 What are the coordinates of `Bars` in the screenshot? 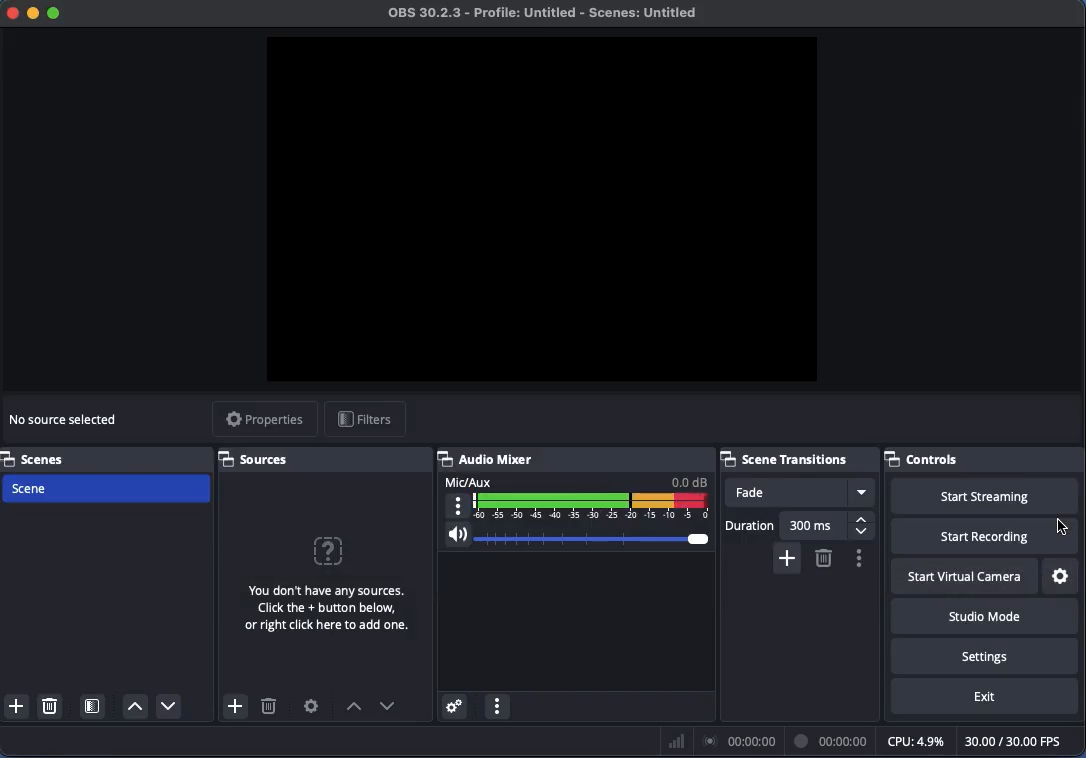 It's located at (677, 741).